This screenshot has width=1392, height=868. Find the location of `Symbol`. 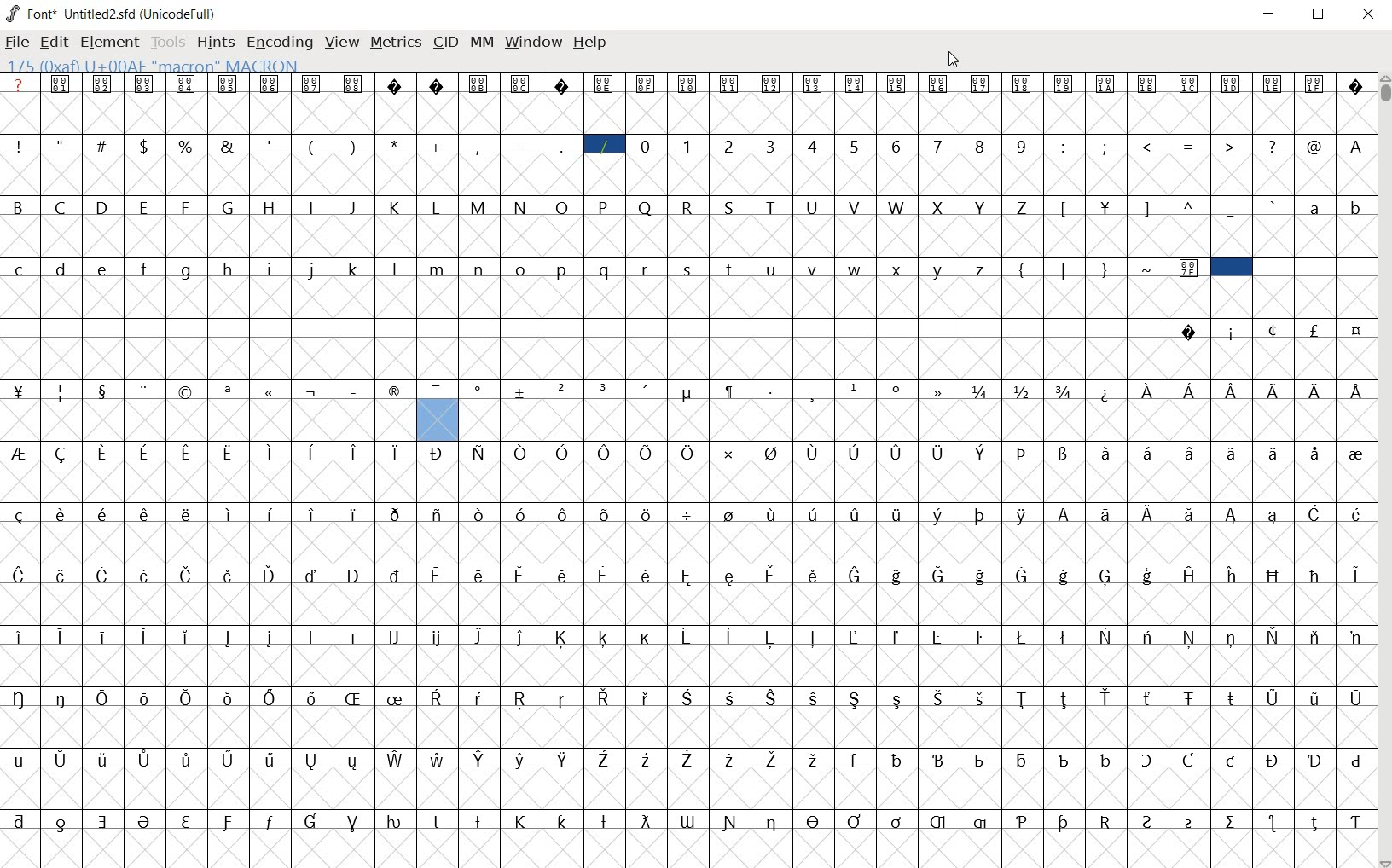

Symbol is located at coordinates (1105, 636).